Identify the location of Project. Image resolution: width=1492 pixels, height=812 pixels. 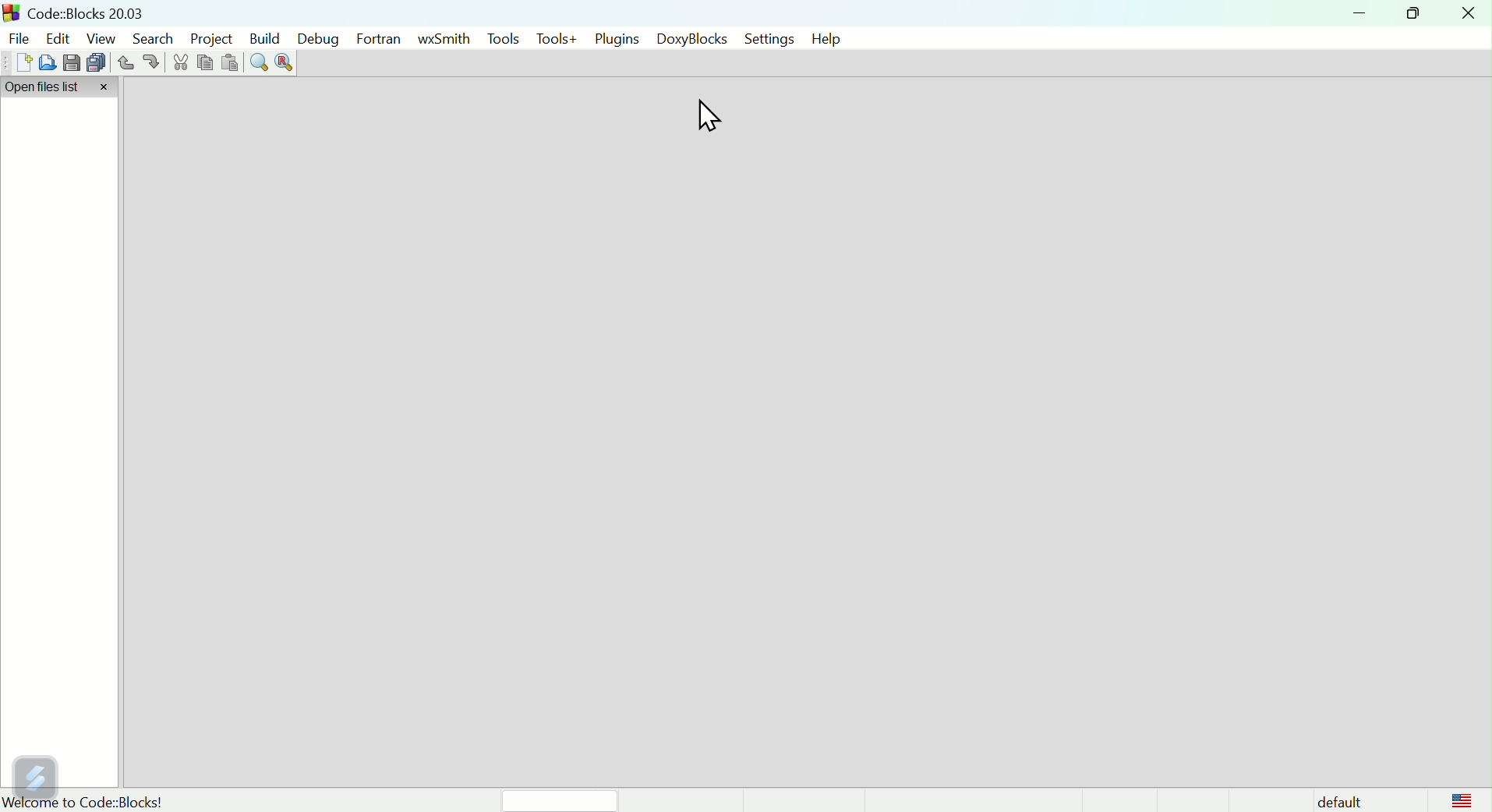
(214, 38).